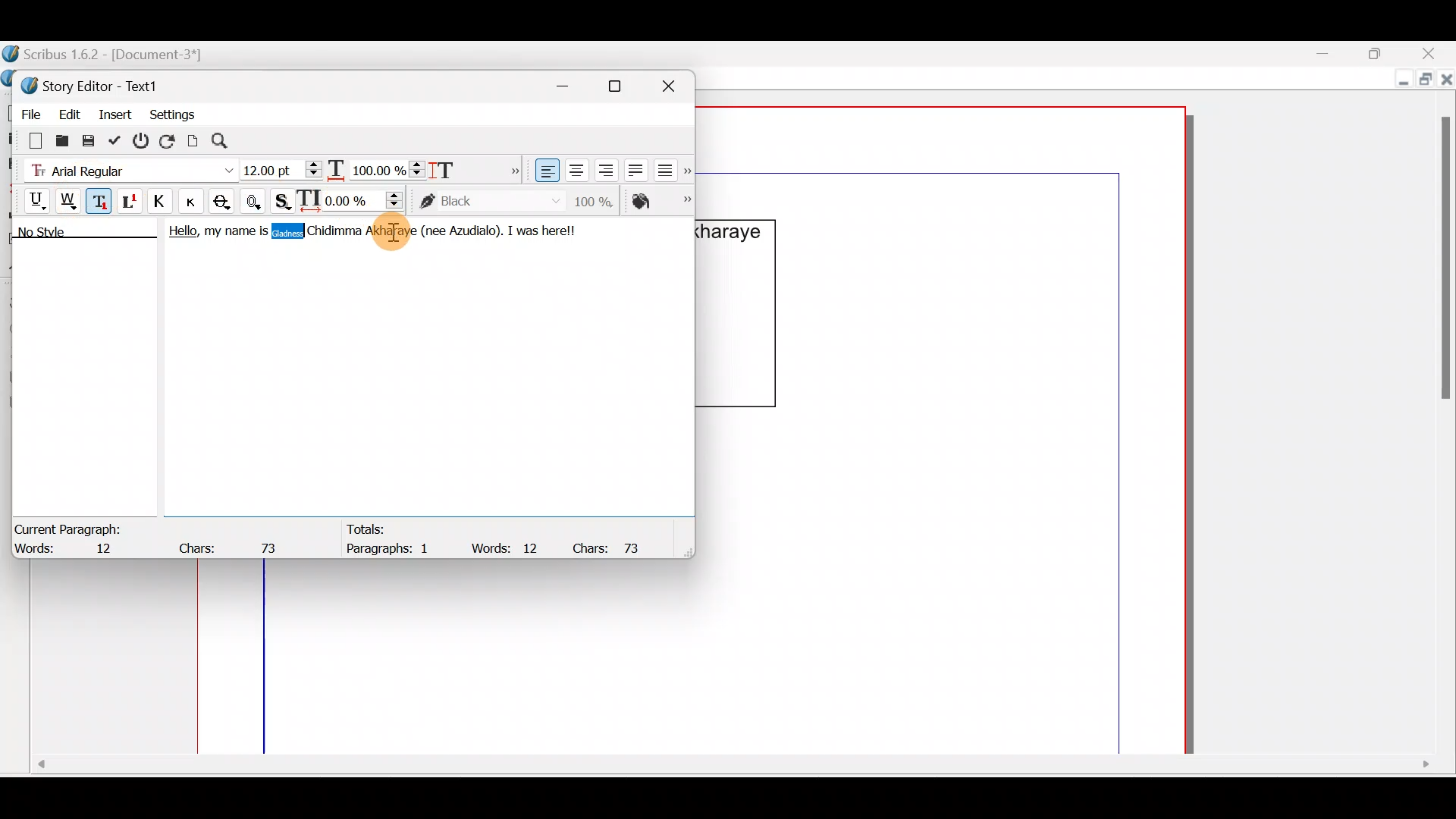  I want to click on Close, so click(675, 83).